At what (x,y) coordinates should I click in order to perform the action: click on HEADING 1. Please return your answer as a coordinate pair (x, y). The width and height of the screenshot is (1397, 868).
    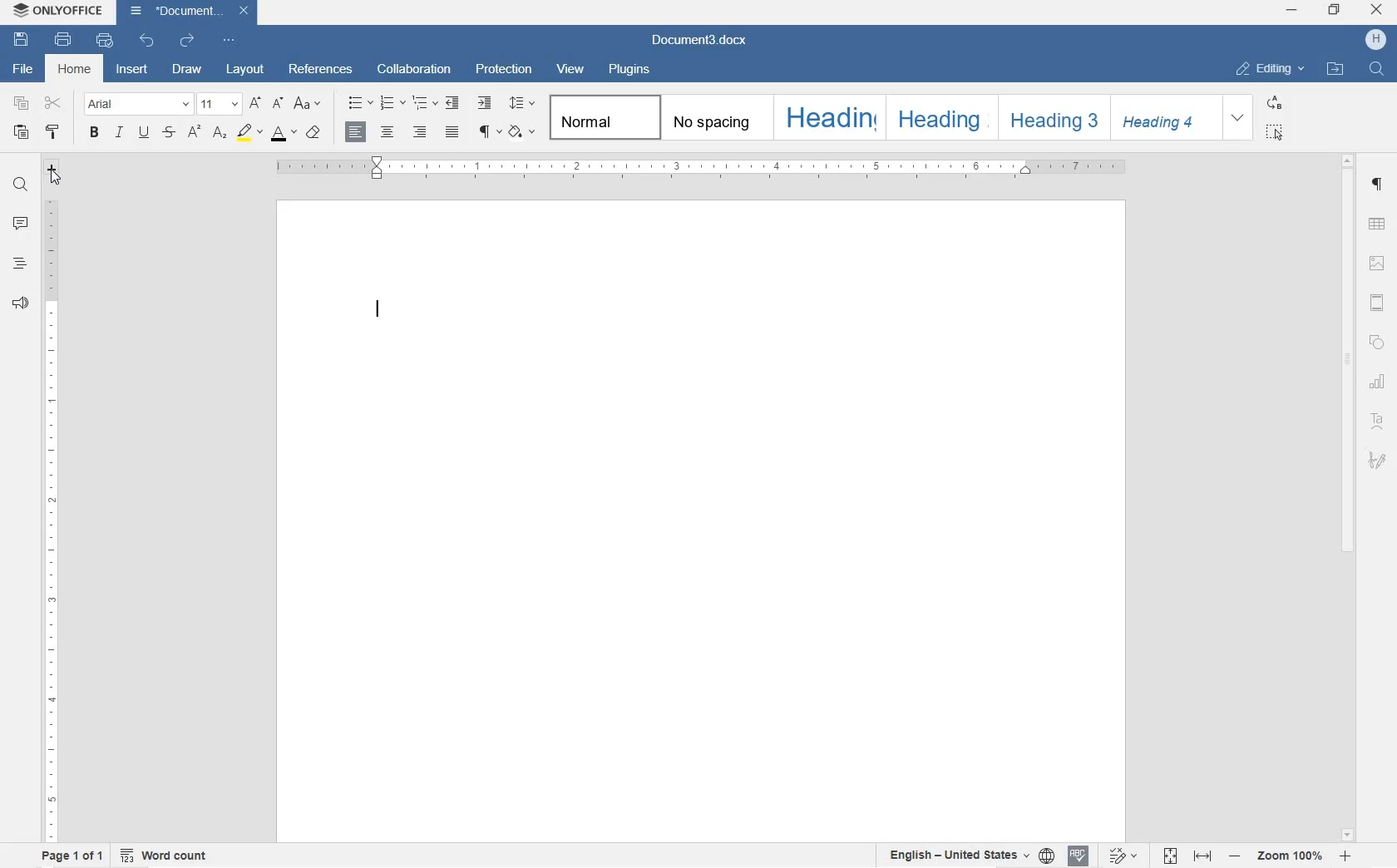
    Looking at the image, I should click on (828, 119).